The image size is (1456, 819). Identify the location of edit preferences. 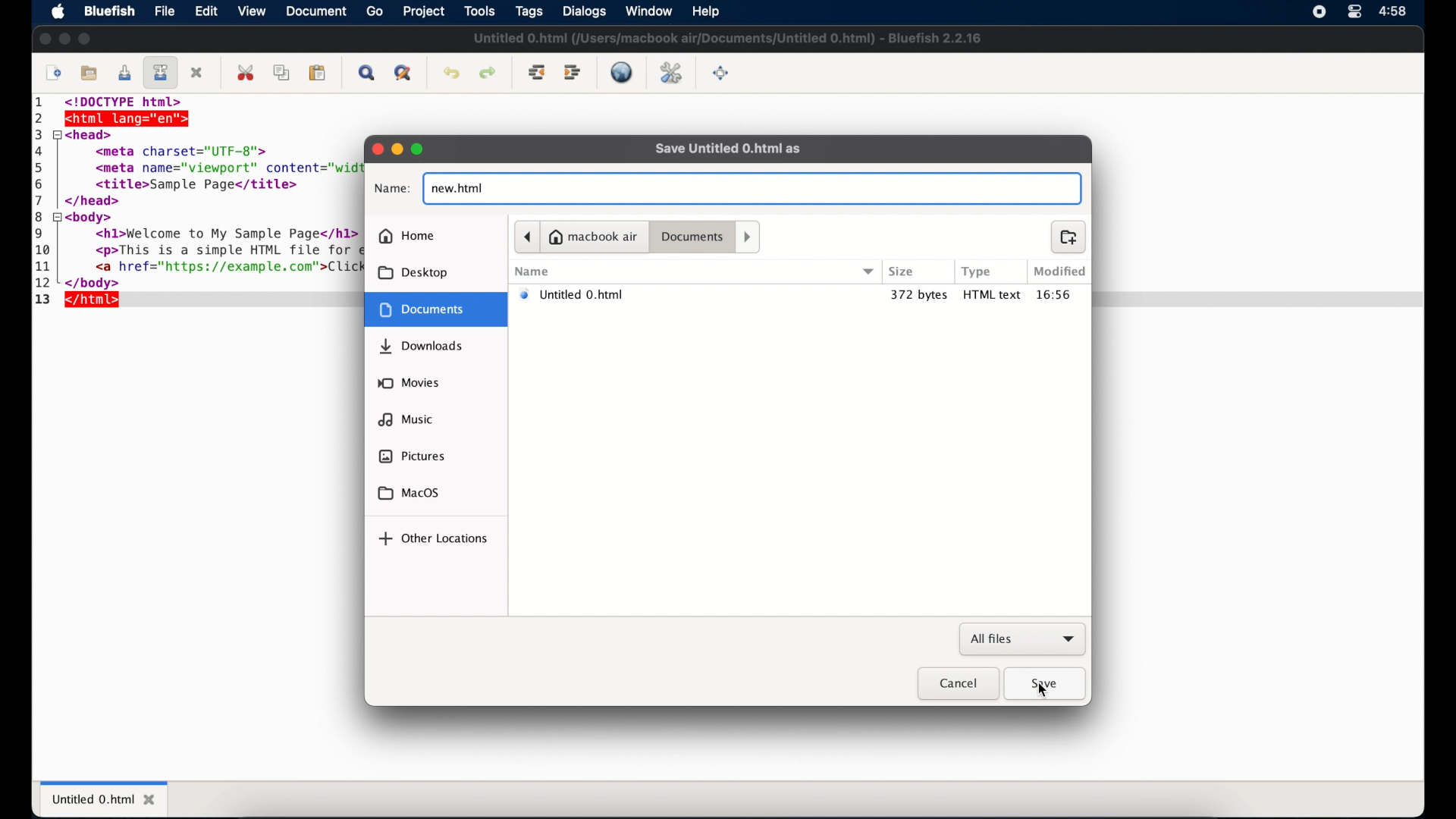
(671, 73).